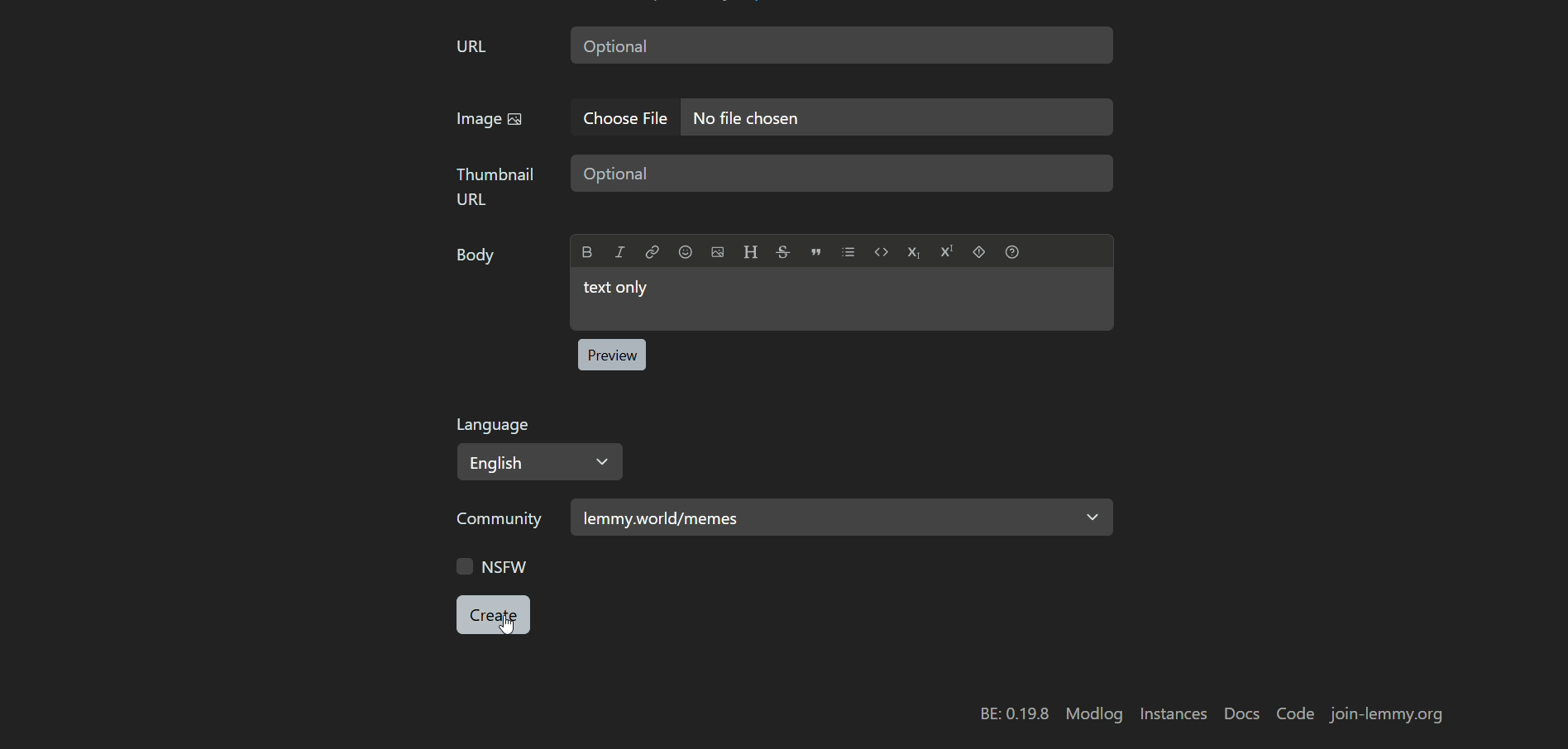  I want to click on instances, so click(1172, 713).